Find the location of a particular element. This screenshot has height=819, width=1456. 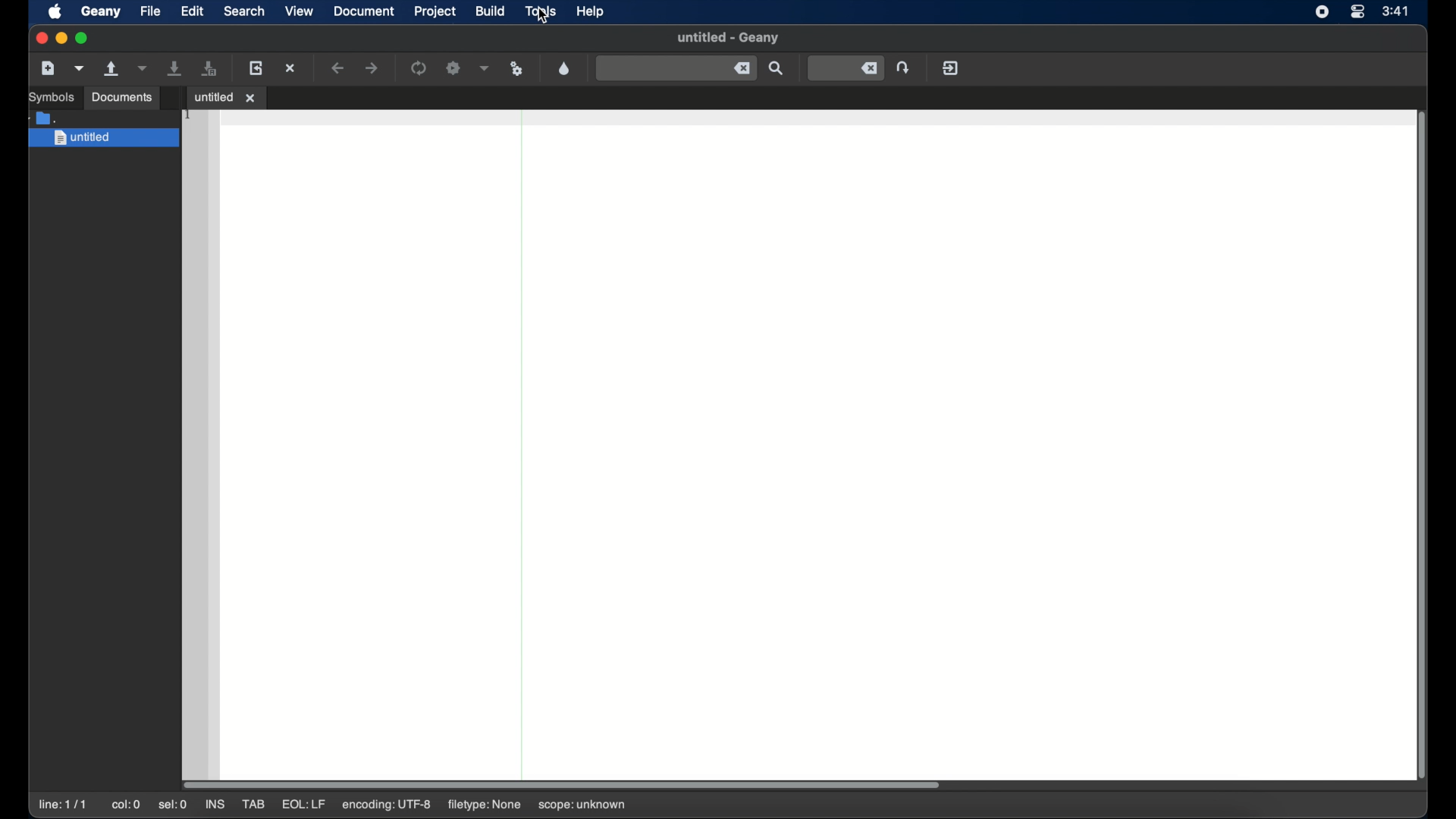

view is located at coordinates (300, 11).